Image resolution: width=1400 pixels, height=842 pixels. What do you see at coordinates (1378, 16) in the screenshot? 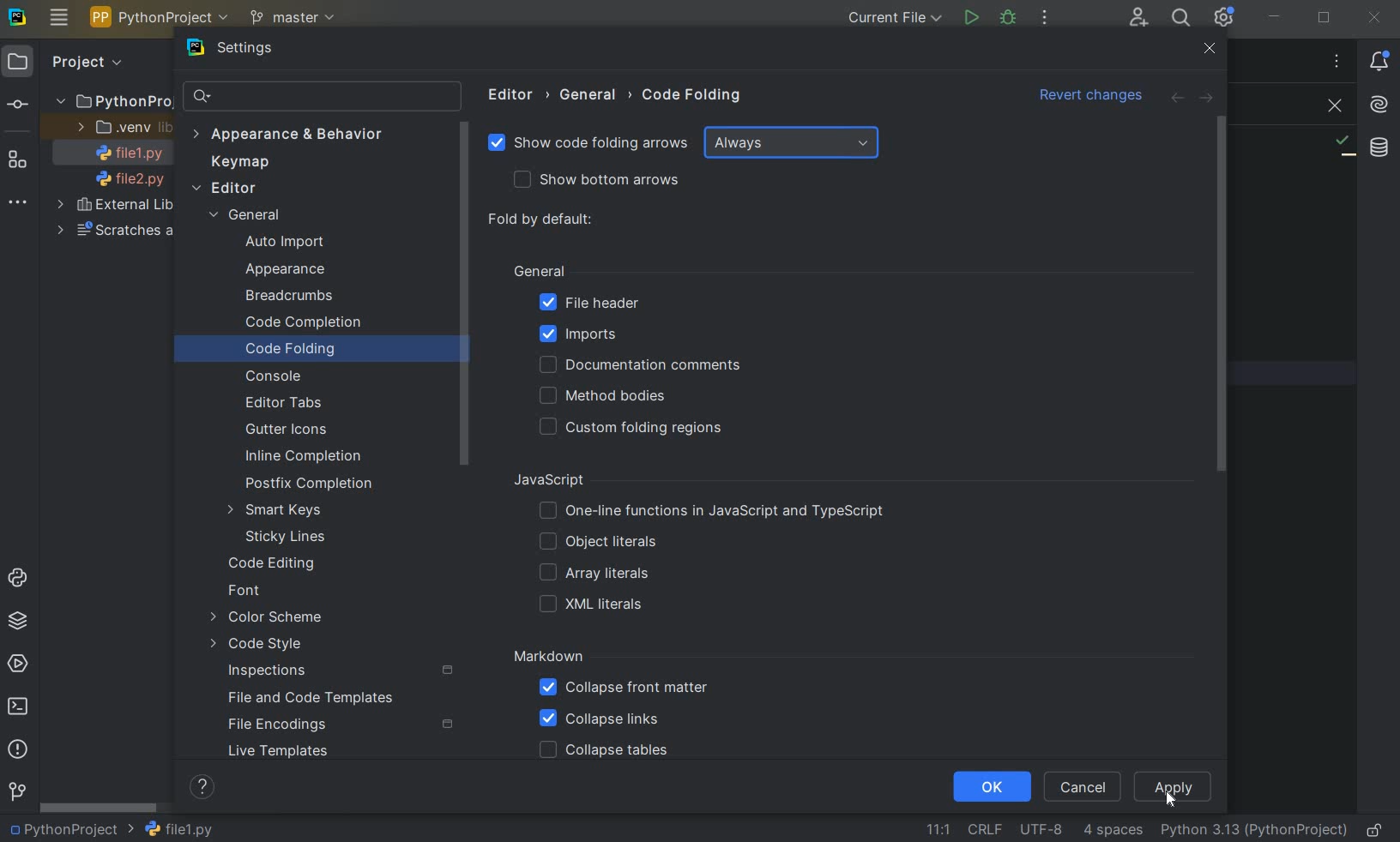
I see `CLOSE` at bounding box center [1378, 16].